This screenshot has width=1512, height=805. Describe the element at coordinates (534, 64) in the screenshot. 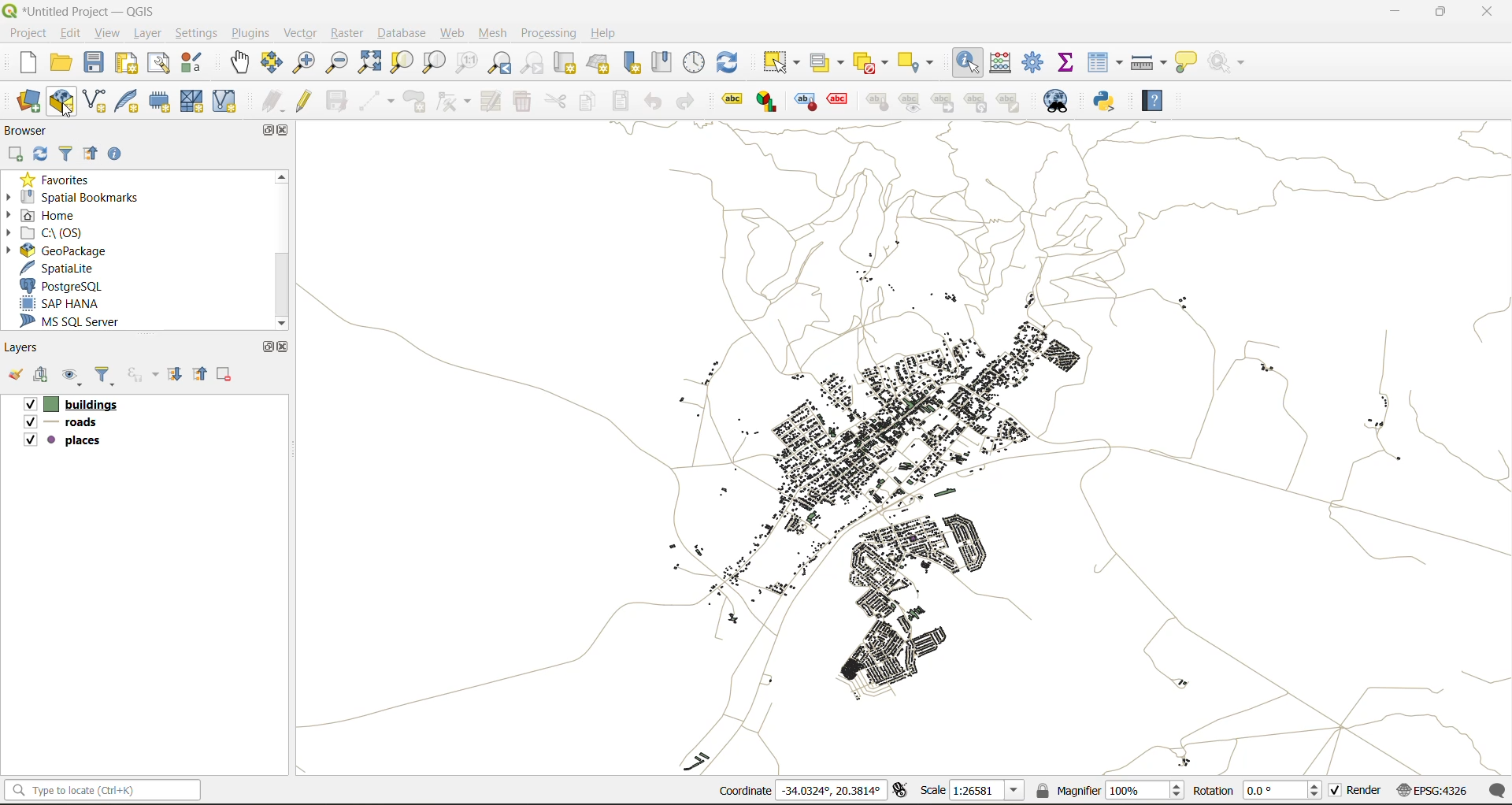

I see `zoom next` at that location.